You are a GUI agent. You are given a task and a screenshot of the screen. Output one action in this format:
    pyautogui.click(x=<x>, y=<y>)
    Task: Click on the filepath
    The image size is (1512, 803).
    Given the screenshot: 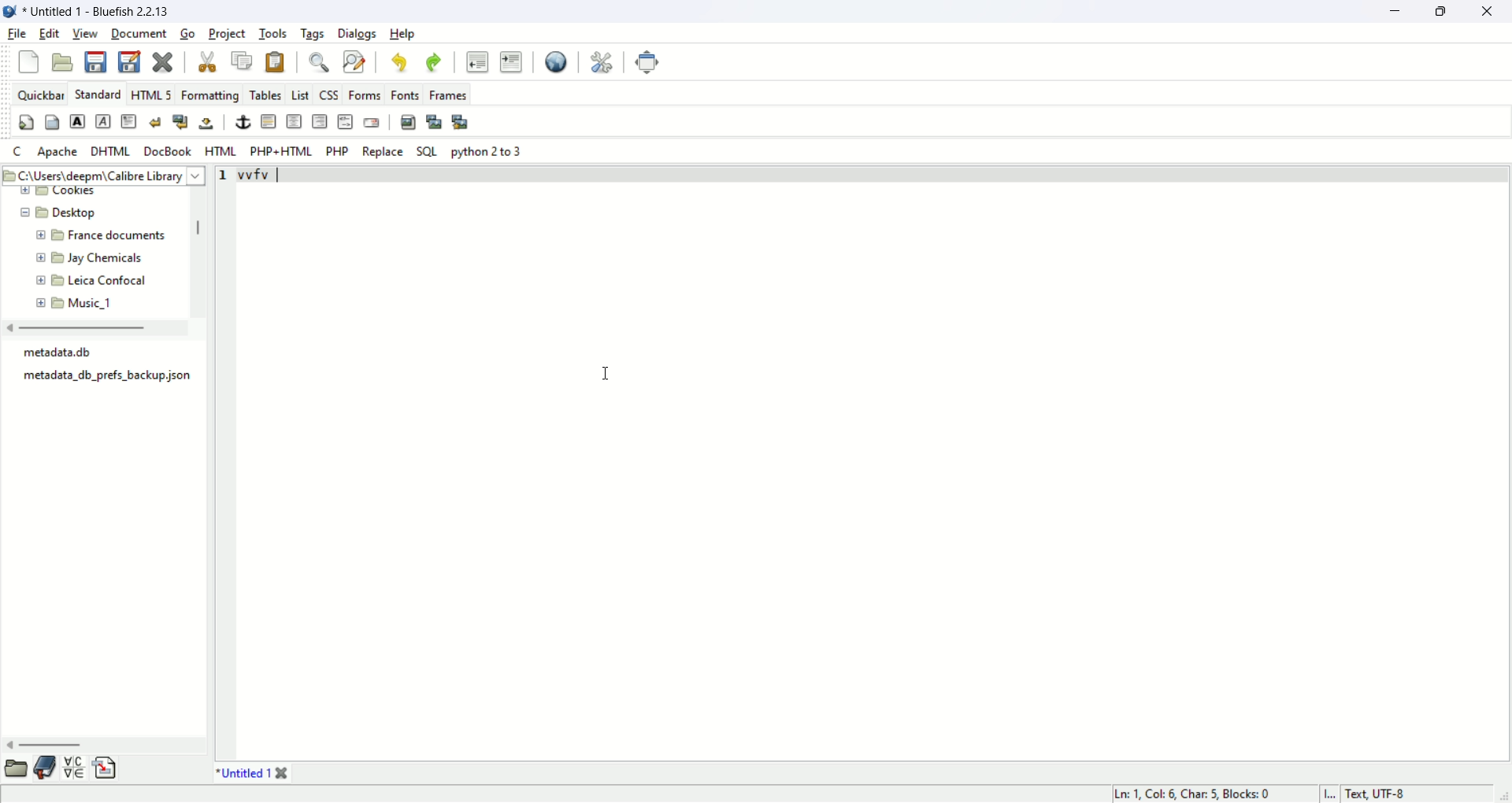 What is the action you would take?
    pyautogui.click(x=102, y=173)
    